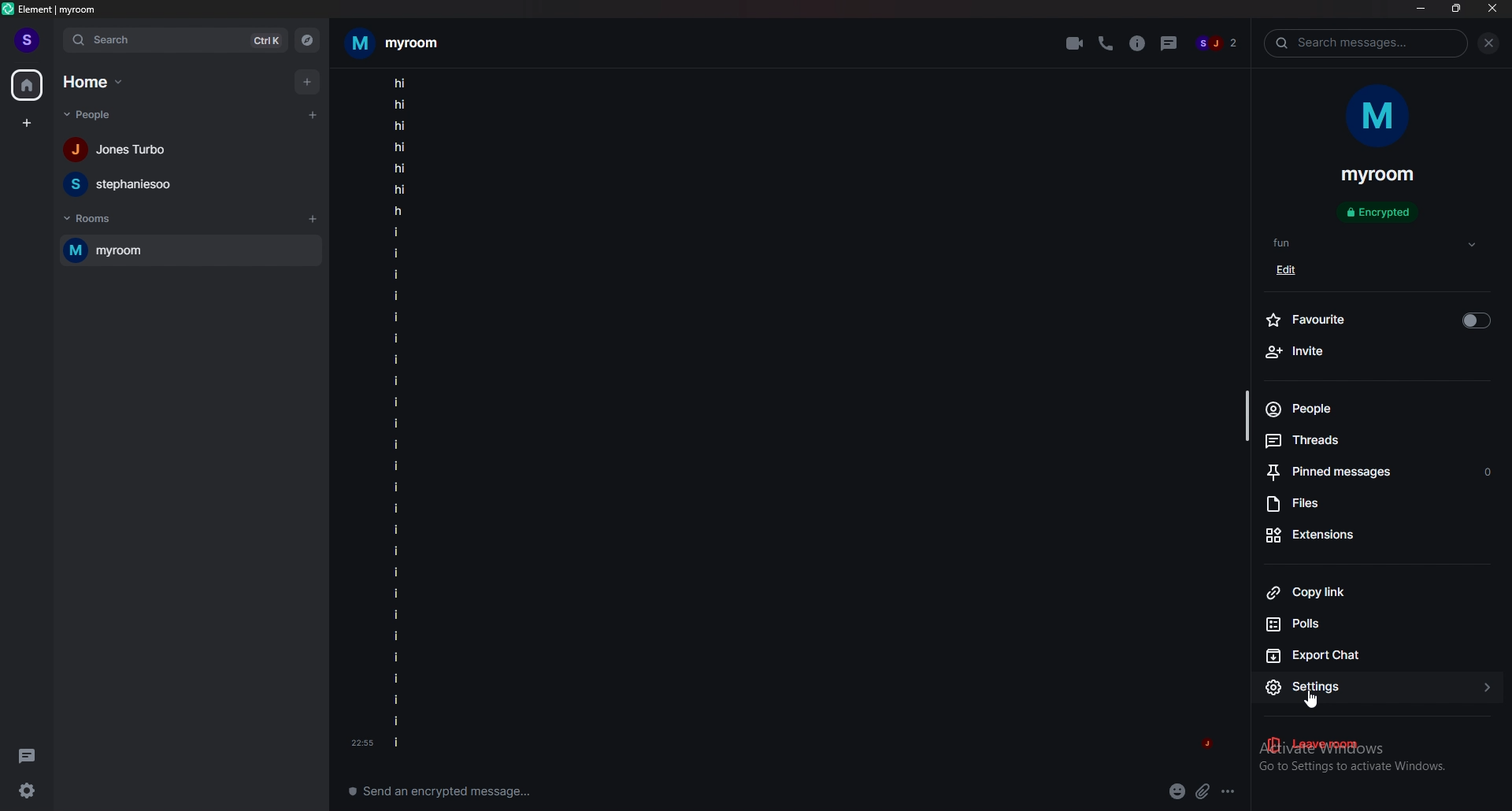 The image size is (1512, 811). What do you see at coordinates (1377, 746) in the screenshot?
I see `leave room` at bounding box center [1377, 746].